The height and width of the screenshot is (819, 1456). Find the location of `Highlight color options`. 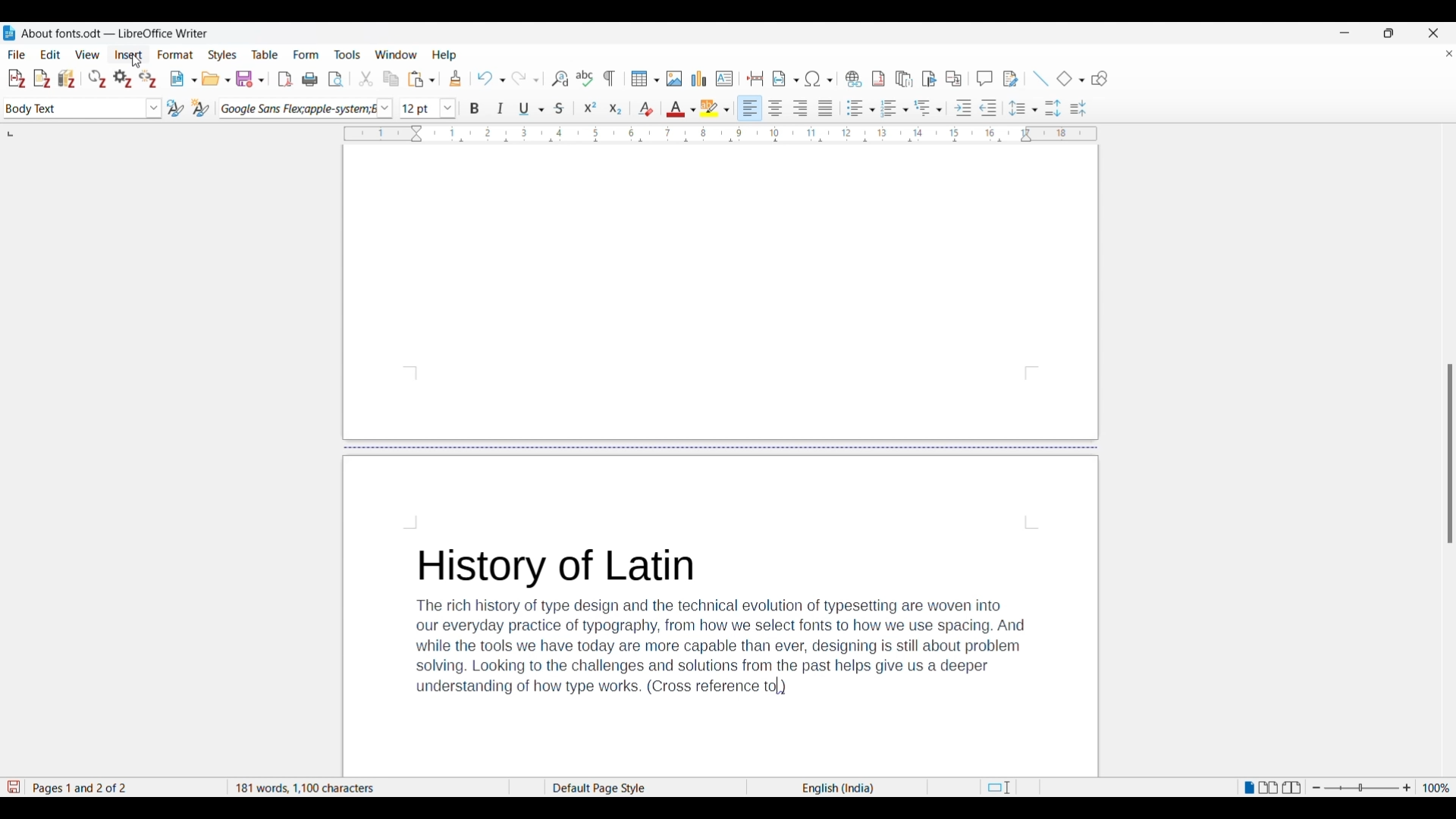

Highlight color options is located at coordinates (714, 108).